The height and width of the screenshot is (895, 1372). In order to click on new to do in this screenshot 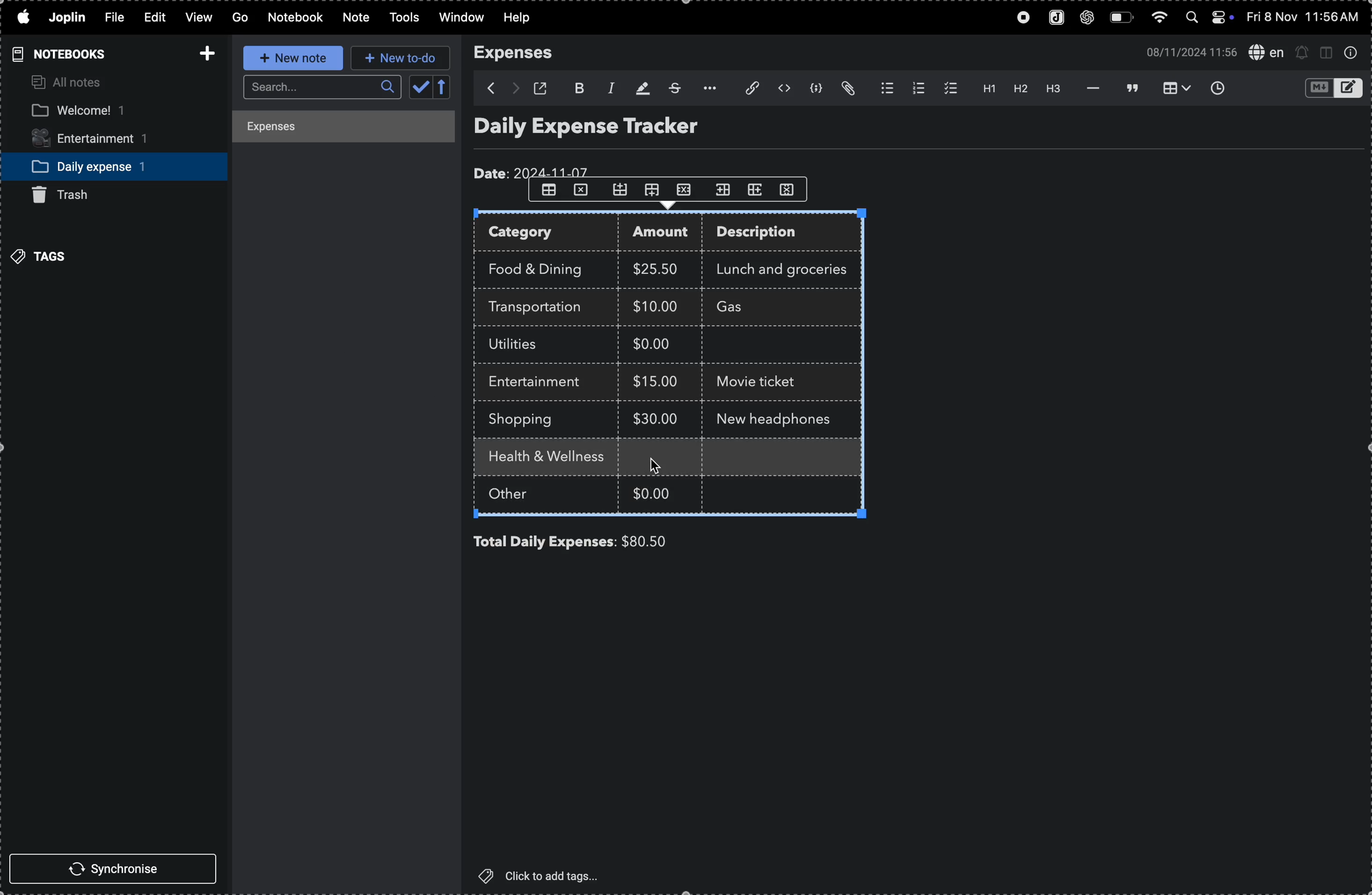, I will do `click(401, 58)`.